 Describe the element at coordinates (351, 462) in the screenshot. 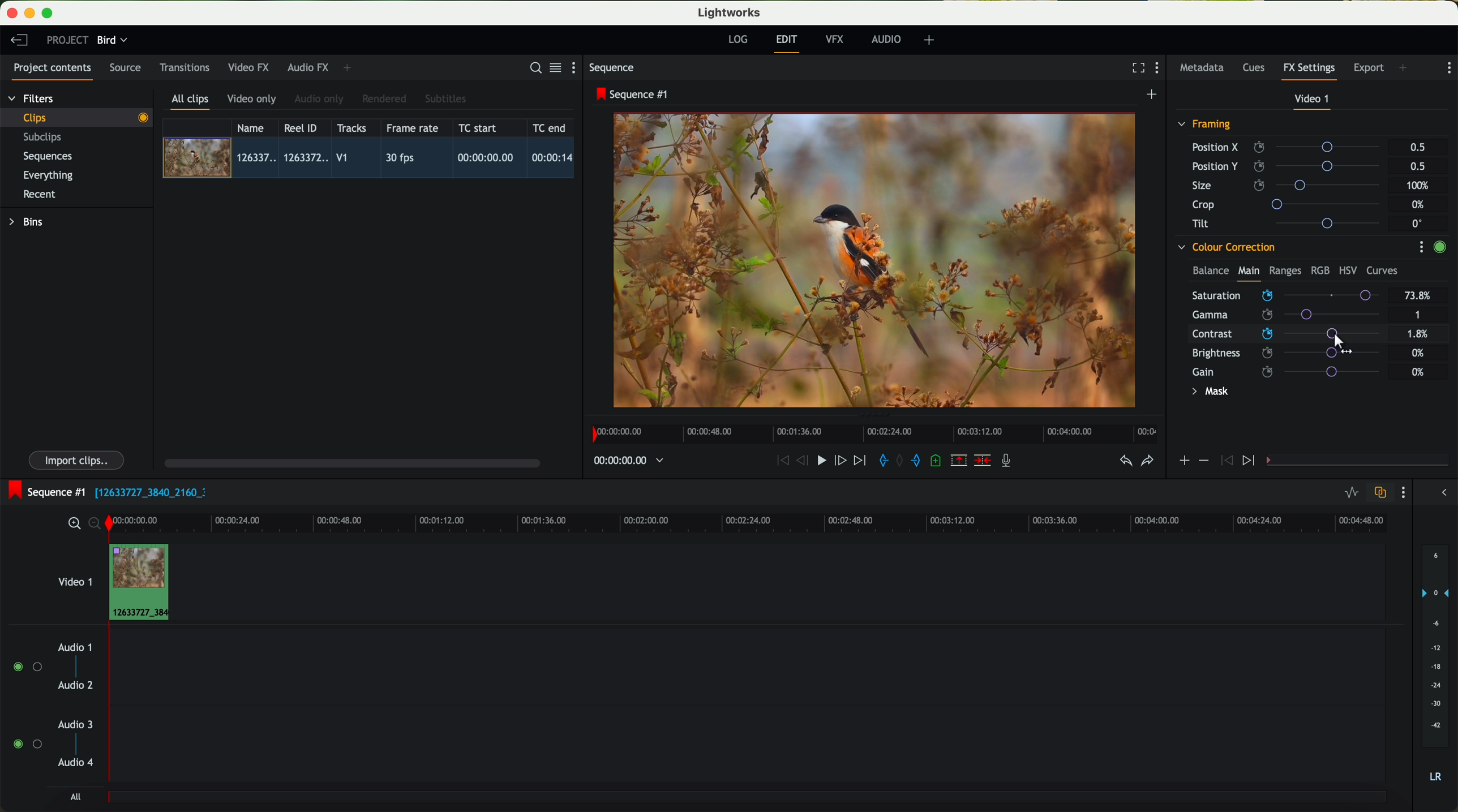

I see `scroll bar` at that location.